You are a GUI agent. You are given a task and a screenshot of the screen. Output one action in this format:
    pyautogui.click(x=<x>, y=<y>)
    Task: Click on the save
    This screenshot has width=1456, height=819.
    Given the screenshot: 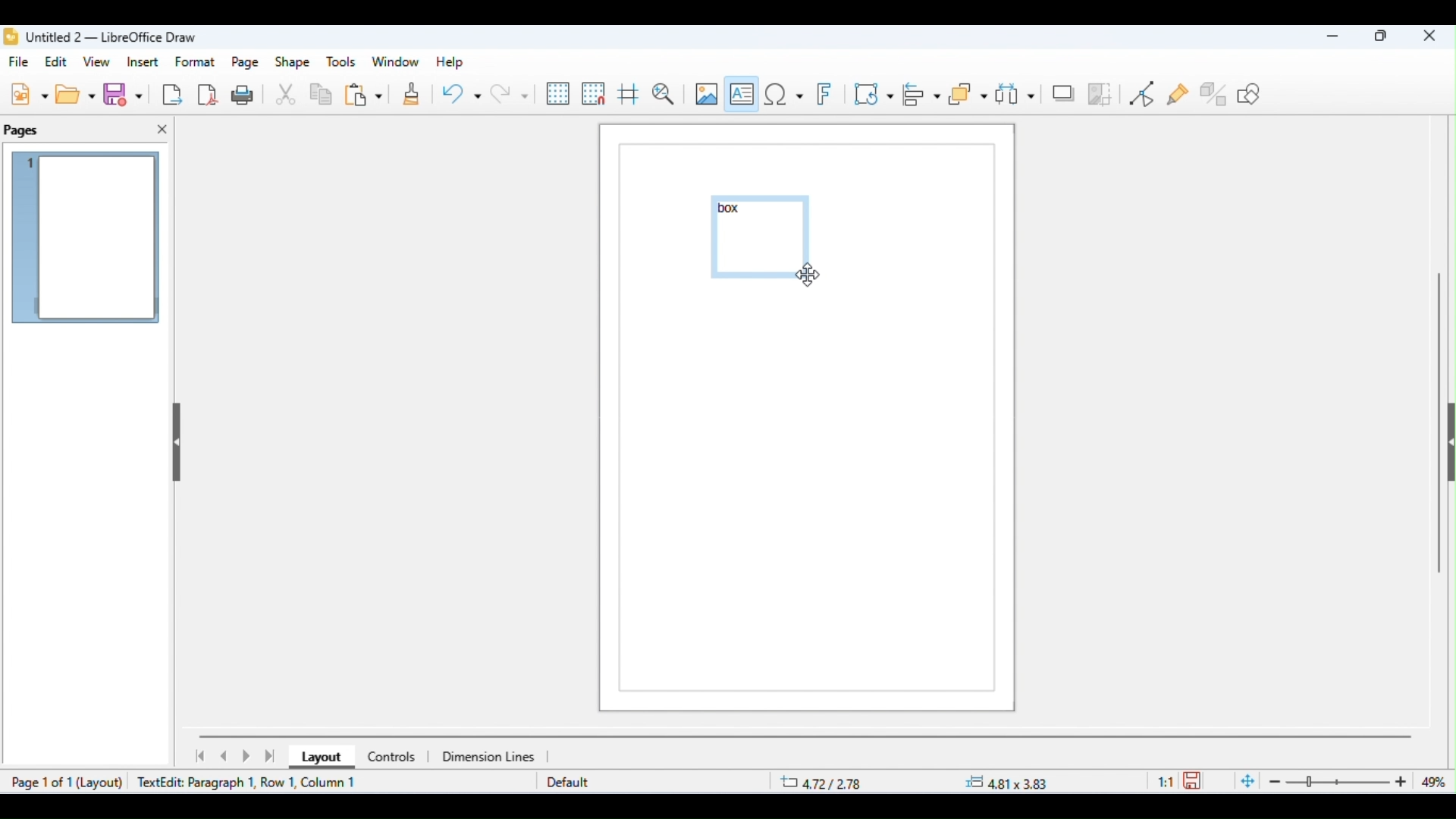 What is the action you would take?
    pyautogui.click(x=126, y=95)
    